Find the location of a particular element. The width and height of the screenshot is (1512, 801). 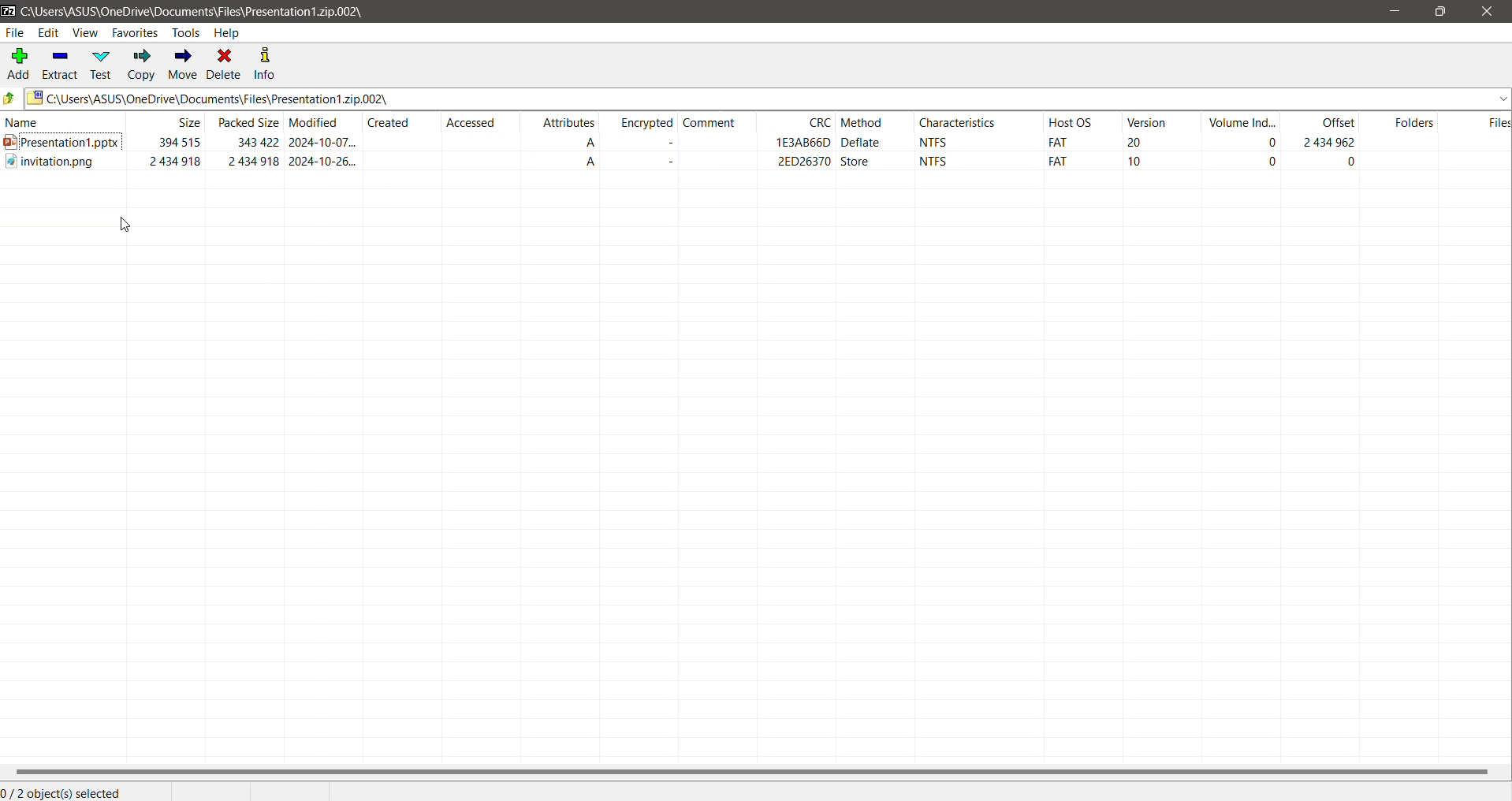

394515 is located at coordinates (178, 143).